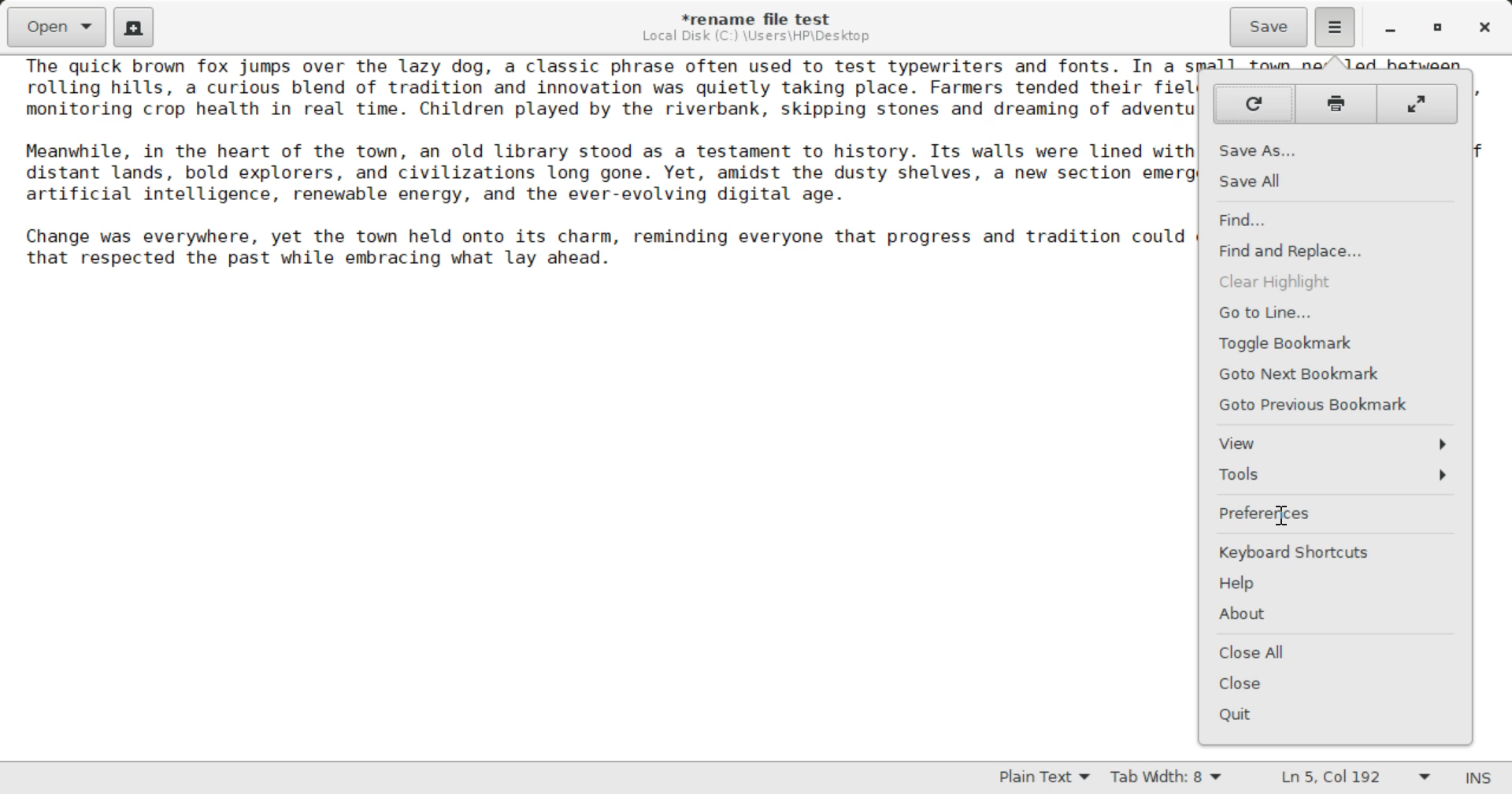 This screenshot has height=794, width=1512. I want to click on Minimize, so click(1438, 28).